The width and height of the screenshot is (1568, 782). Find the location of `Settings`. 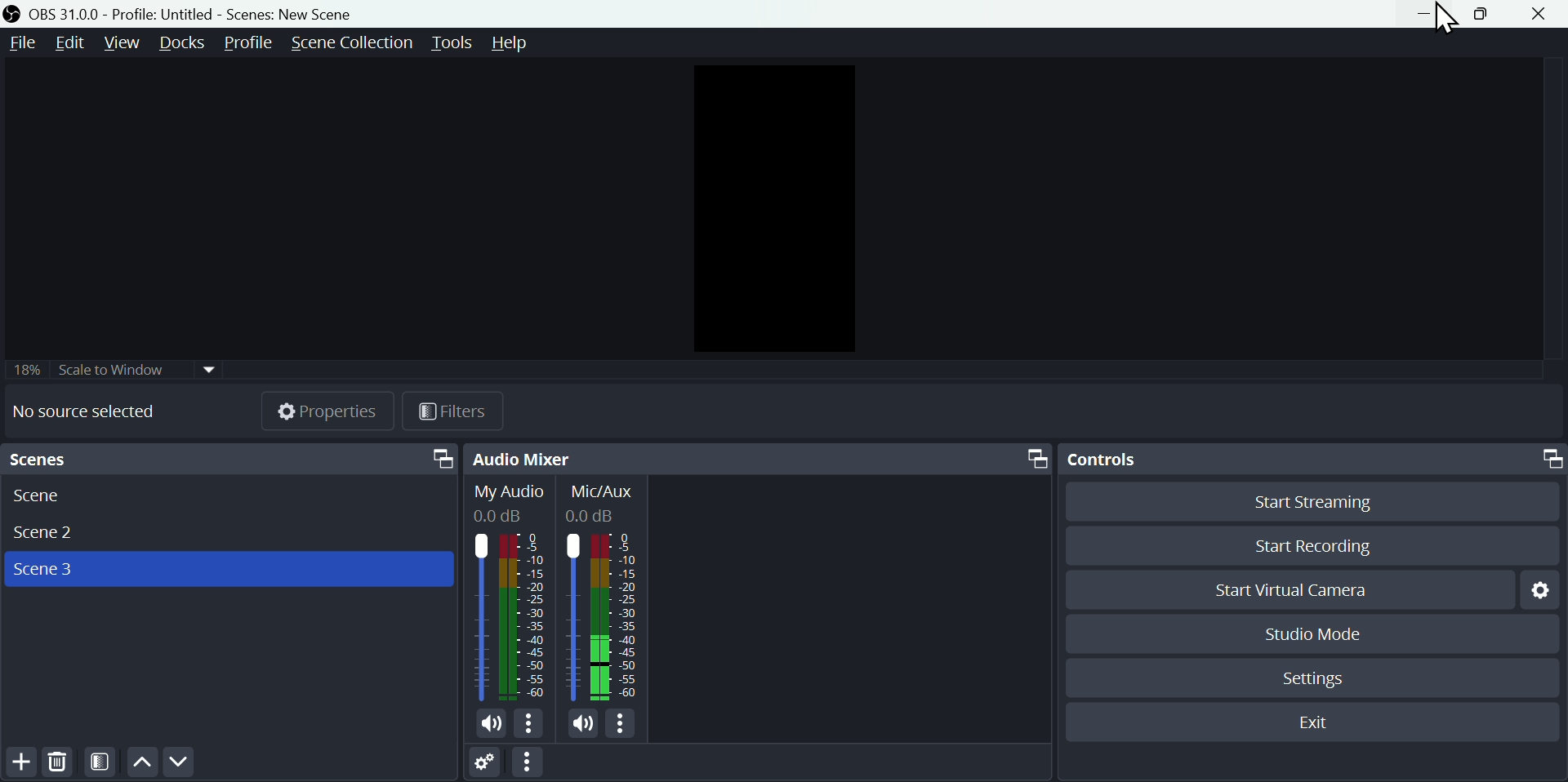

Settings is located at coordinates (489, 765).